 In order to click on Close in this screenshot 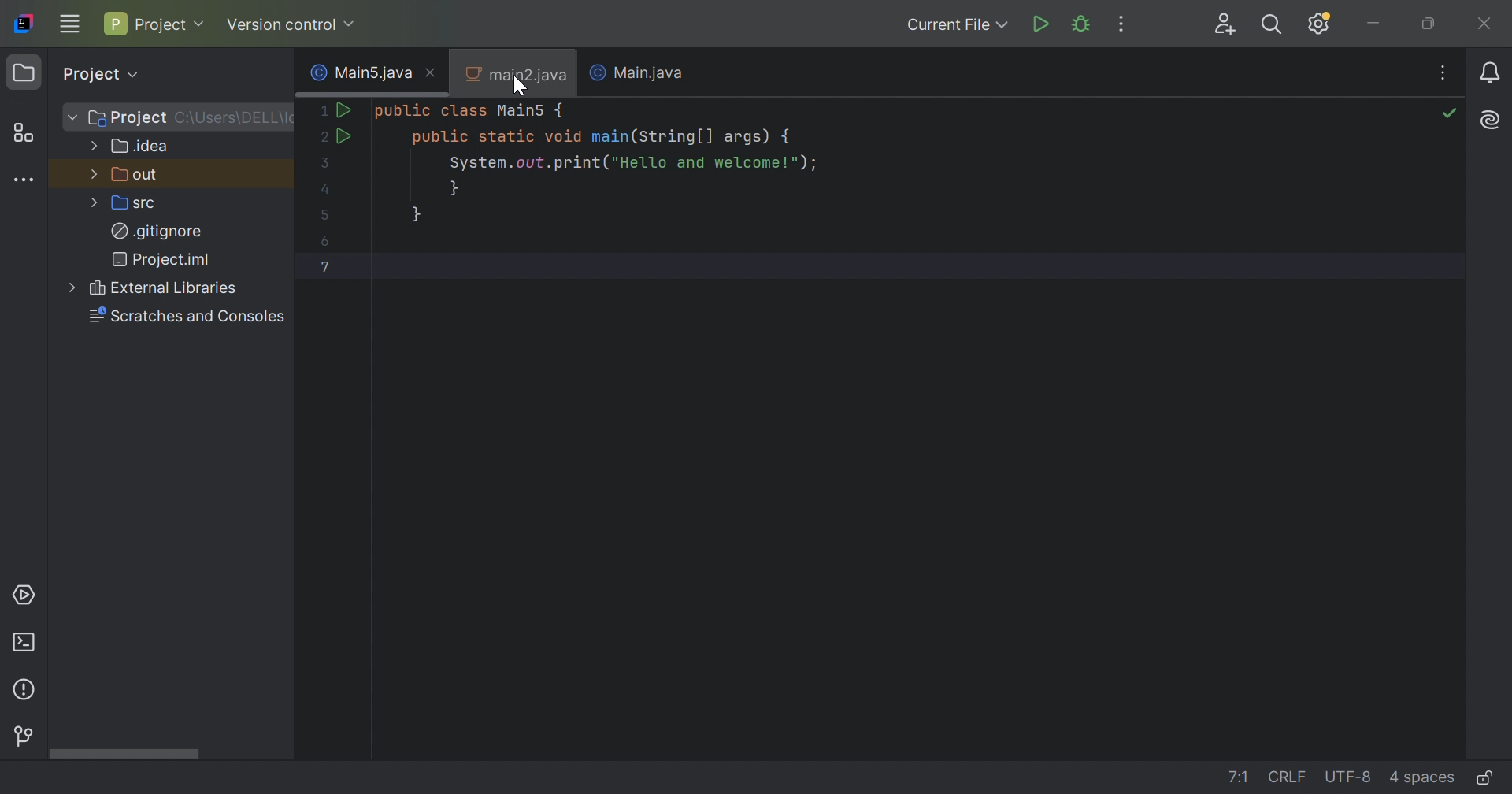, I will do `click(430, 72)`.